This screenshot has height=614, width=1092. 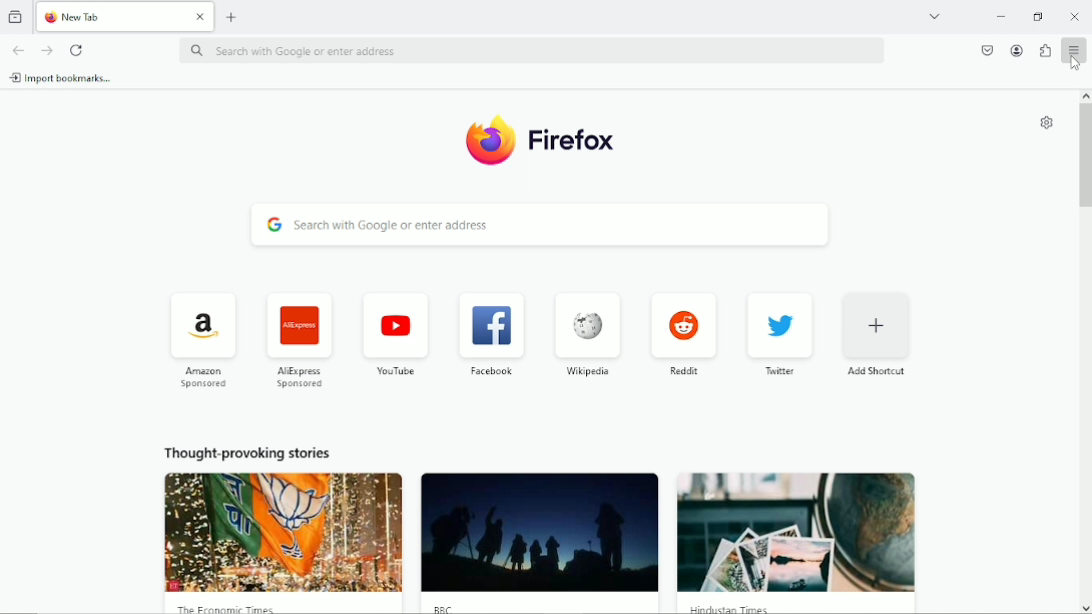 I want to click on View recent browsing, so click(x=14, y=17).